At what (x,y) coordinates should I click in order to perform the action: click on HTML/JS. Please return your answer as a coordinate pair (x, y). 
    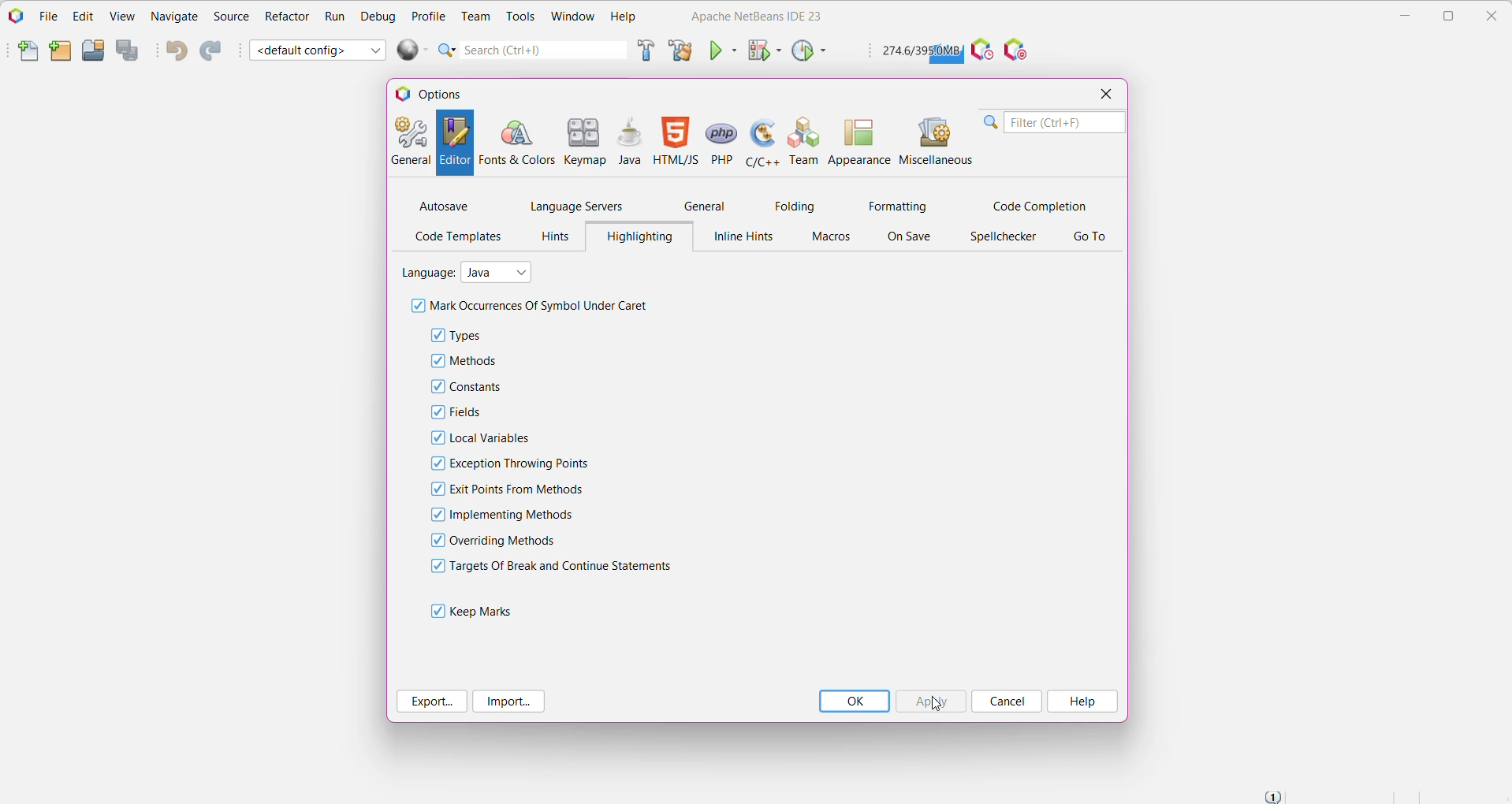
    Looking at the image, I should click on (675, 142).